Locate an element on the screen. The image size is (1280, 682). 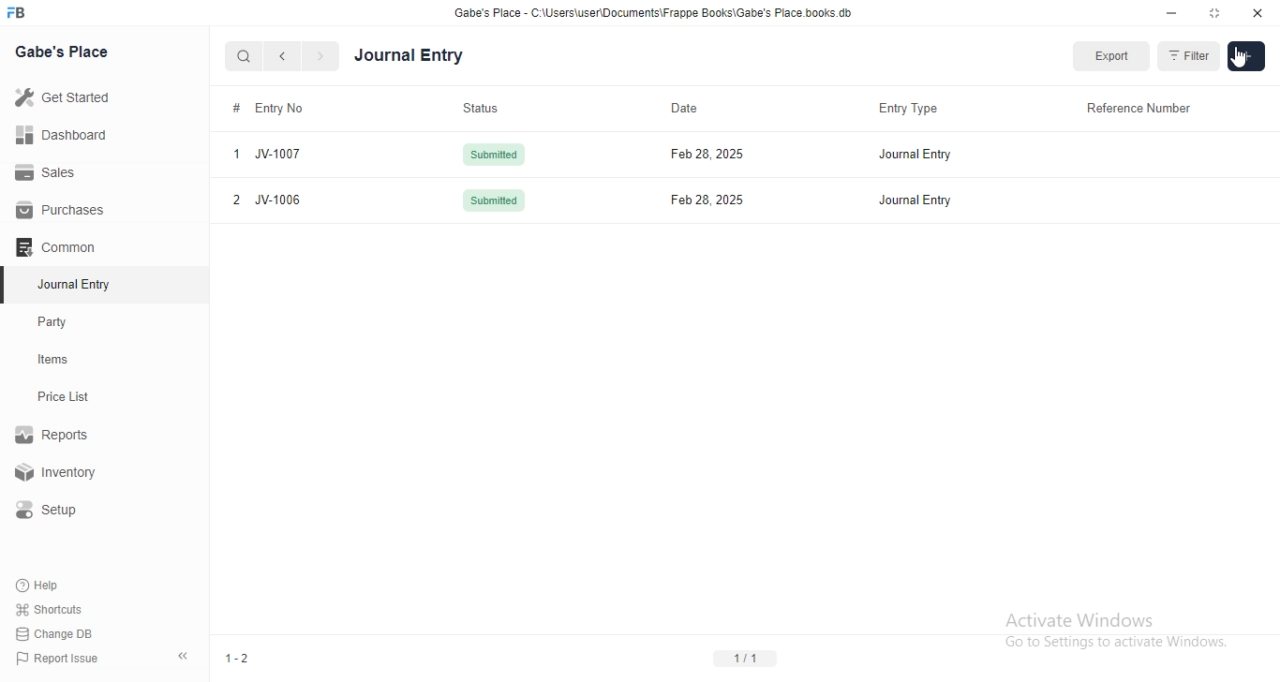
backward is located at coordinates (281, 56).